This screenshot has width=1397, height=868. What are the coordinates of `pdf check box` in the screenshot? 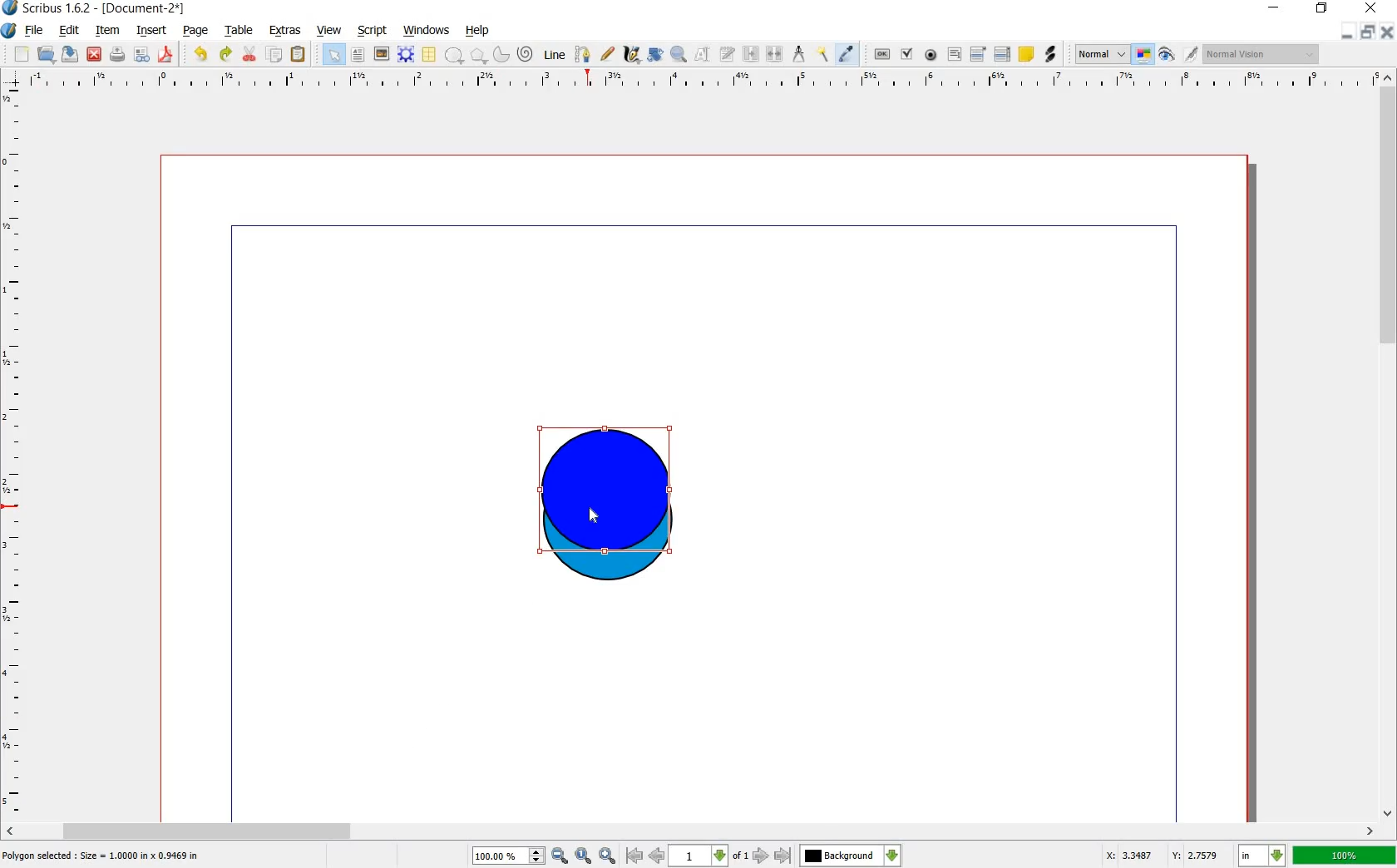 It's located at (906, 55).